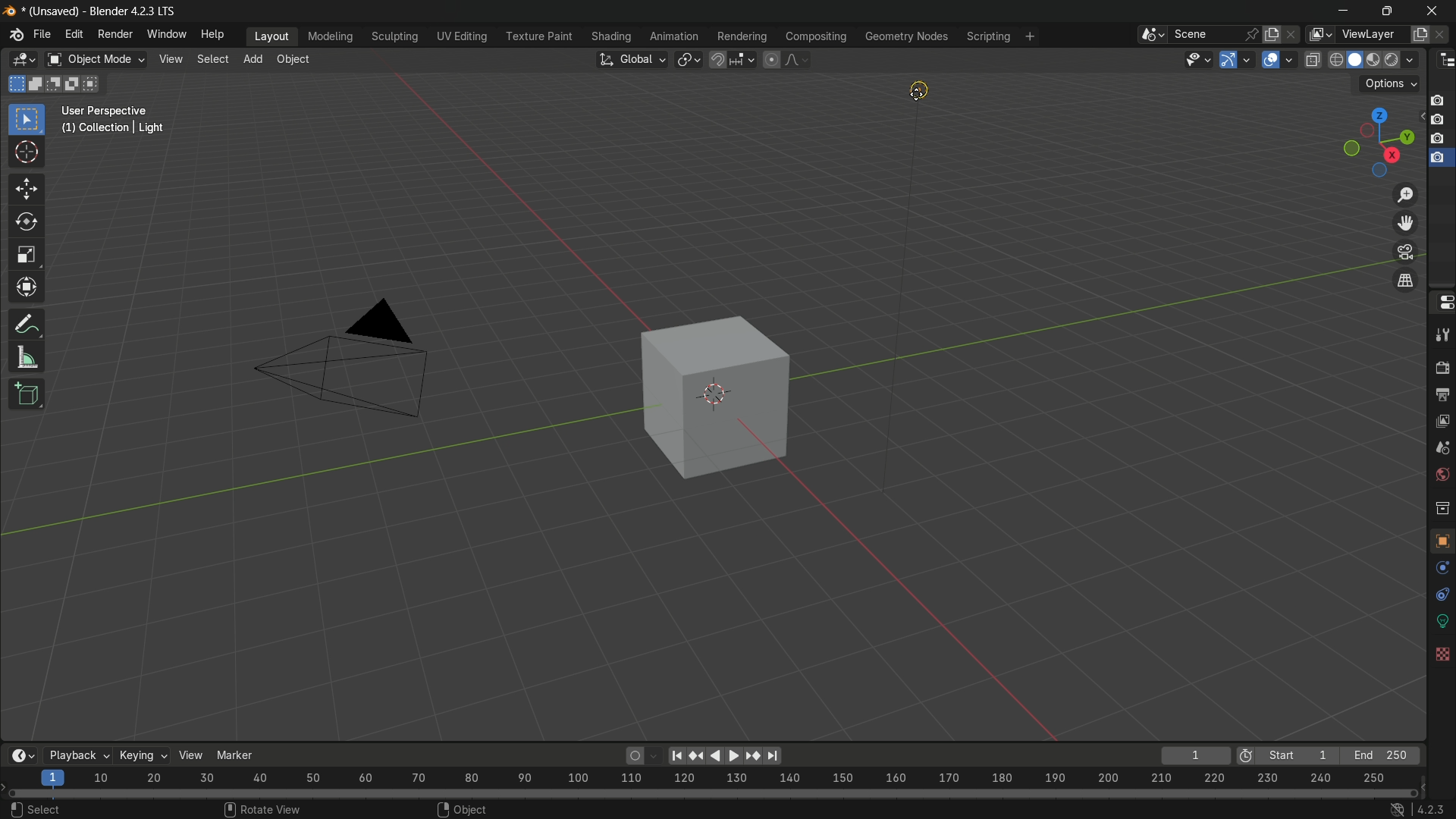  What do you see at coordinates (1193, 755) in the screenshot?
I see `current key frame` at bounding box center [1193, 755].